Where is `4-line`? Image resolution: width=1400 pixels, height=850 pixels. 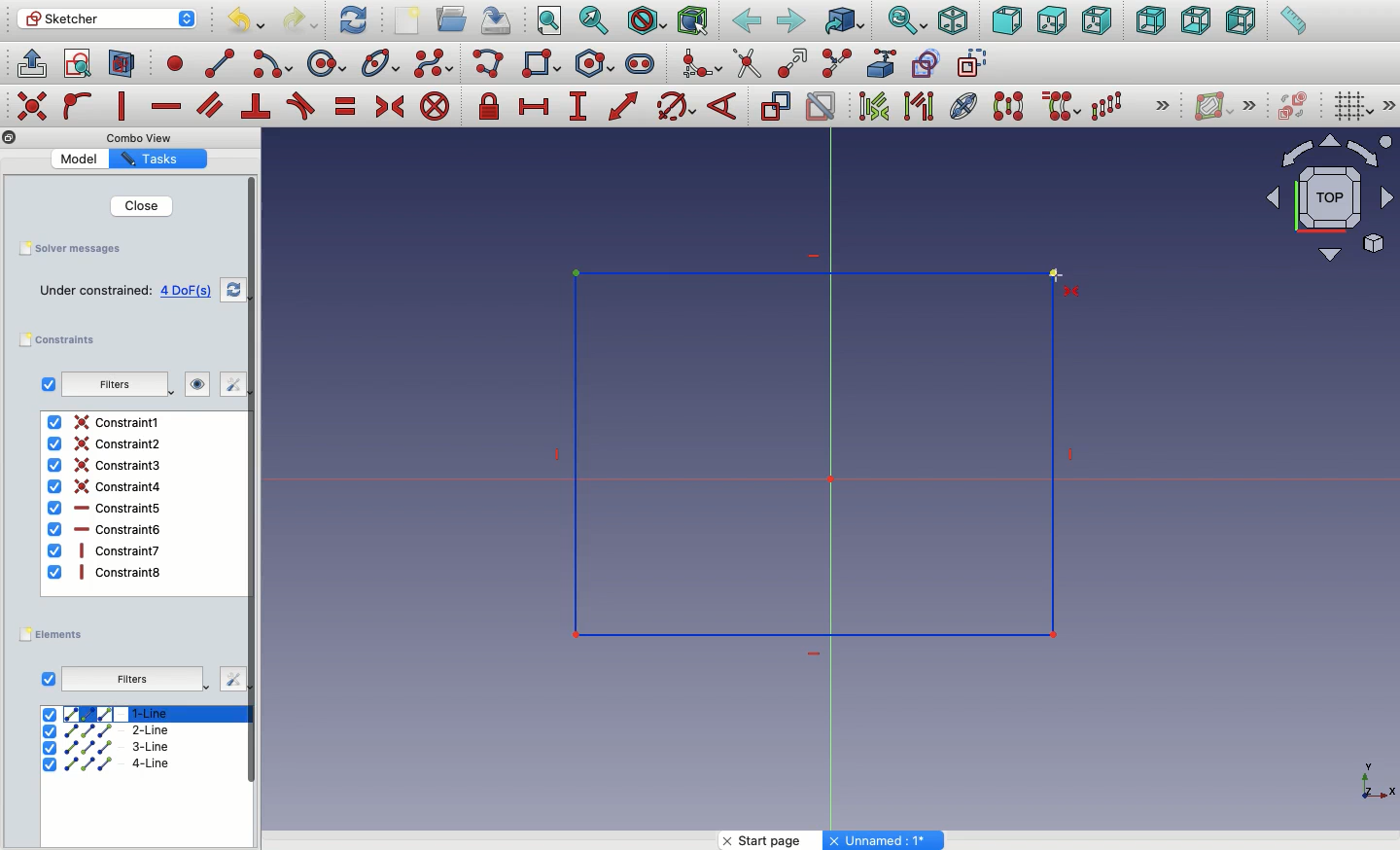 4-line is located at coordinates (107, 763).